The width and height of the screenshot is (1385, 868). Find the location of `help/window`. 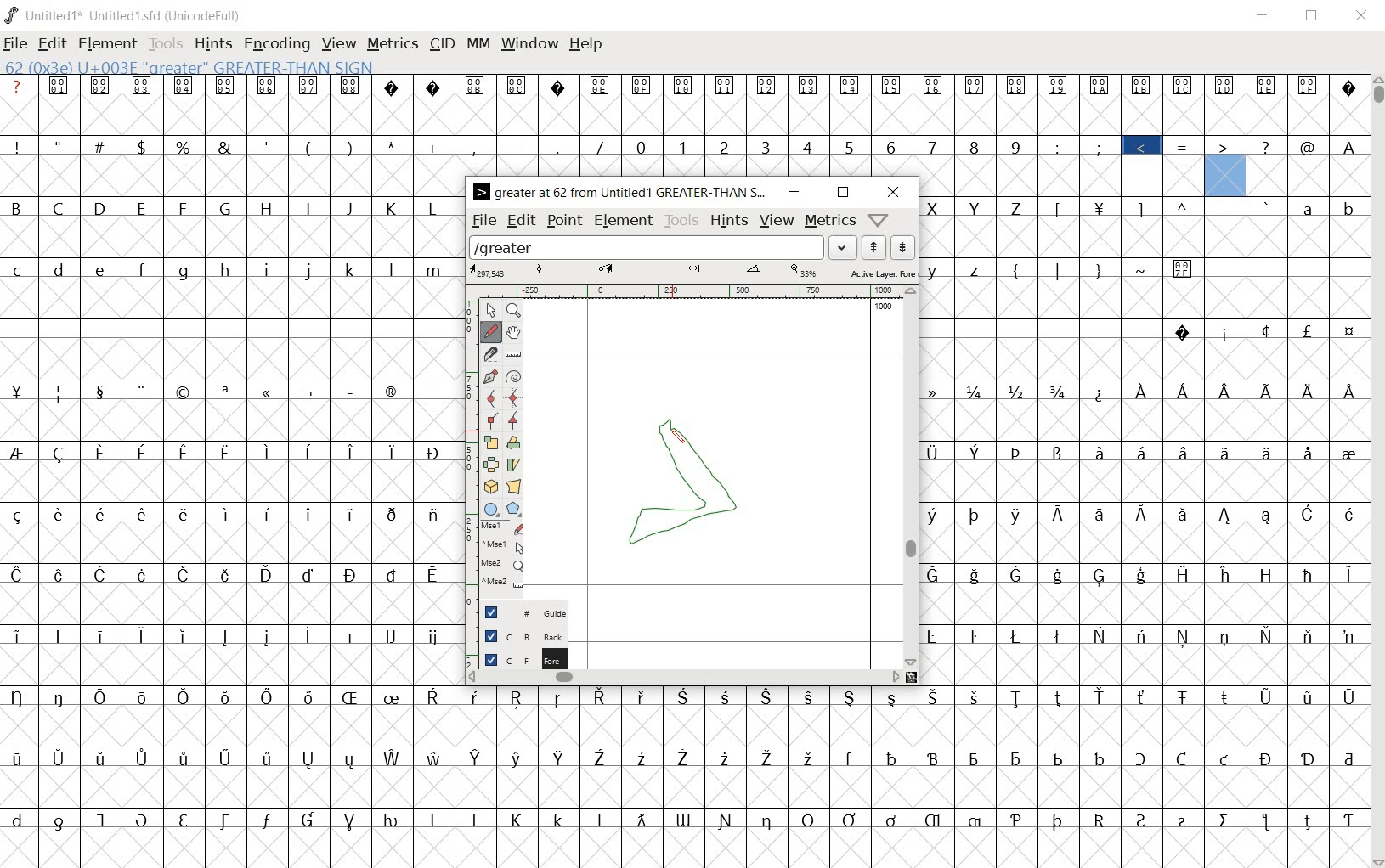

help/window is located at coordinates (879, 219).